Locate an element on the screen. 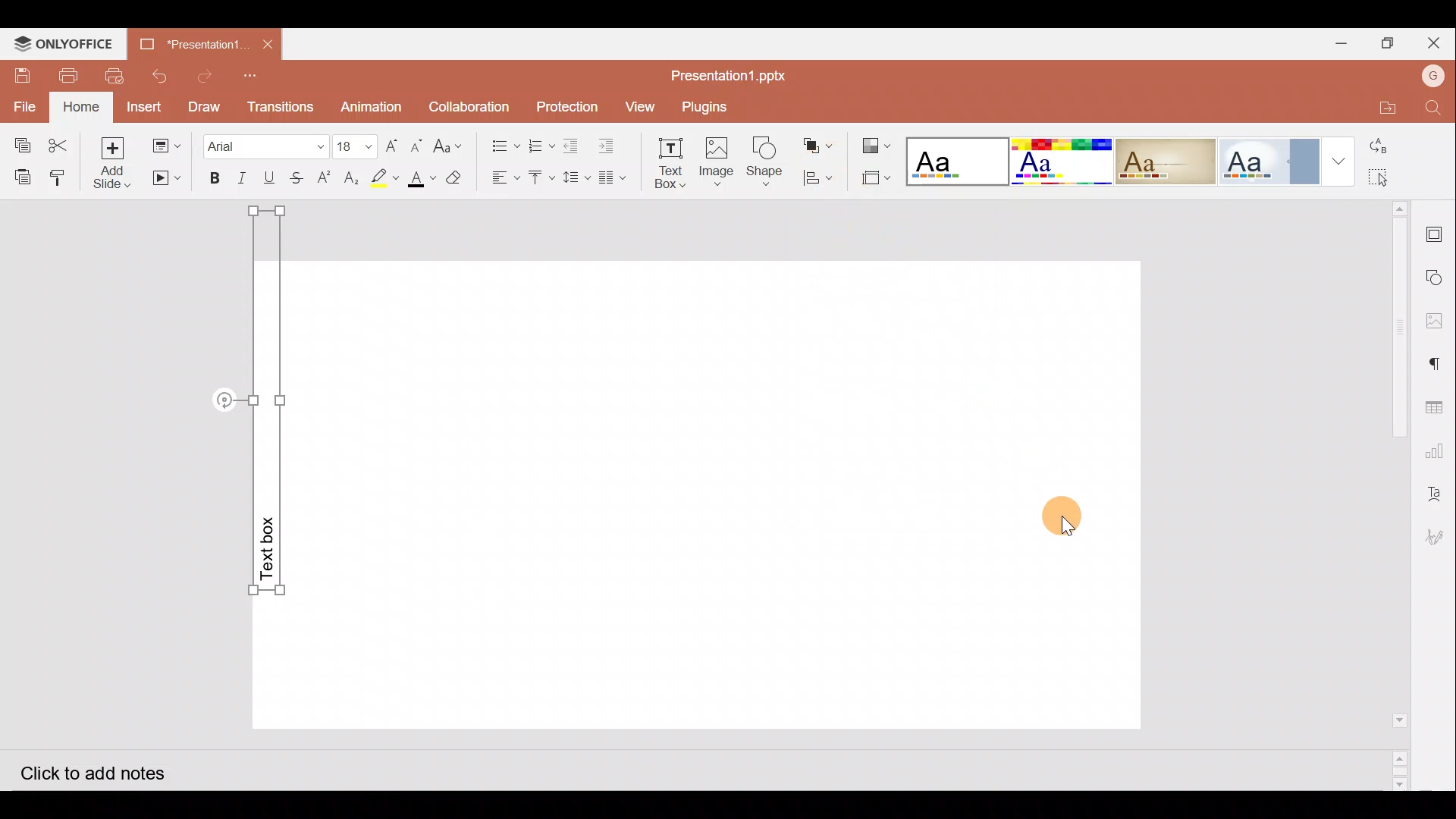 The image size is (1456, 819). Account name is located at coordinates (1432, 74).